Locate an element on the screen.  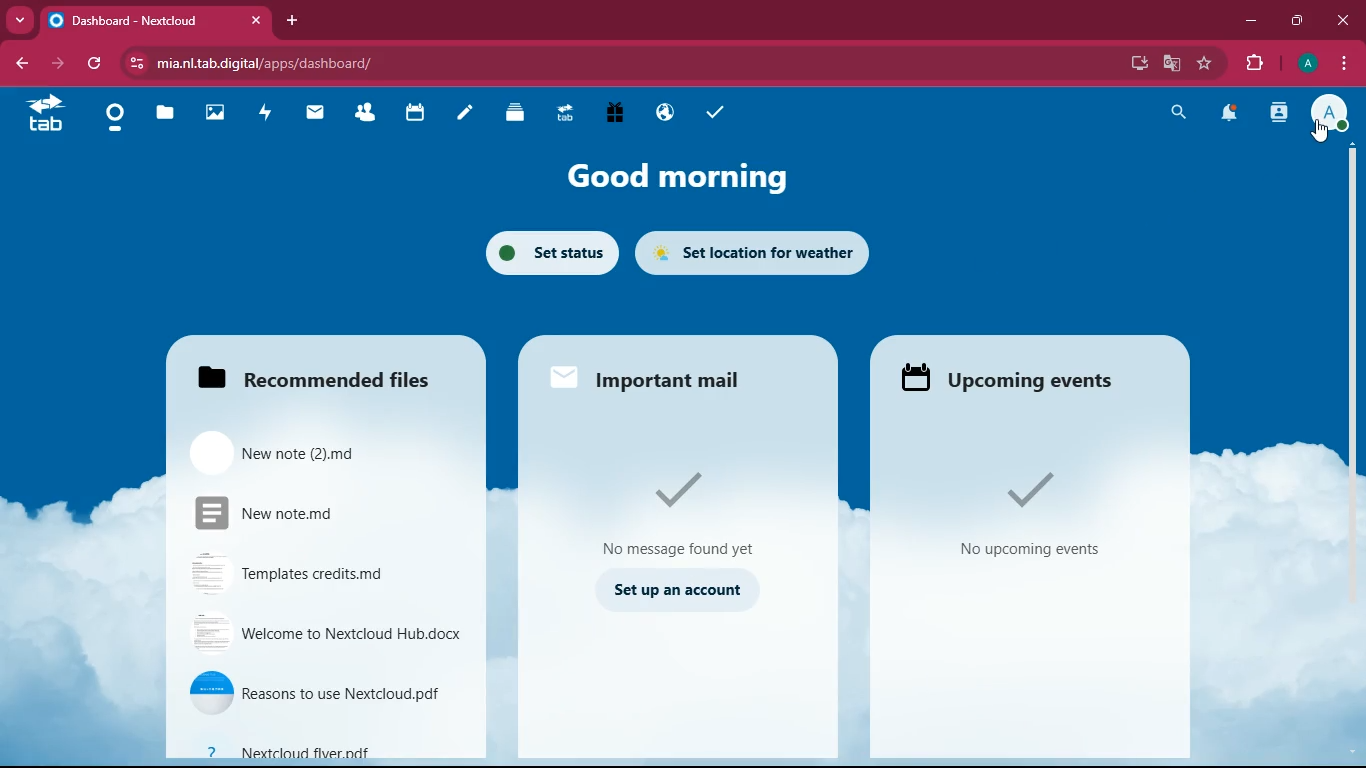
activity is located at coordinates (260, 114).